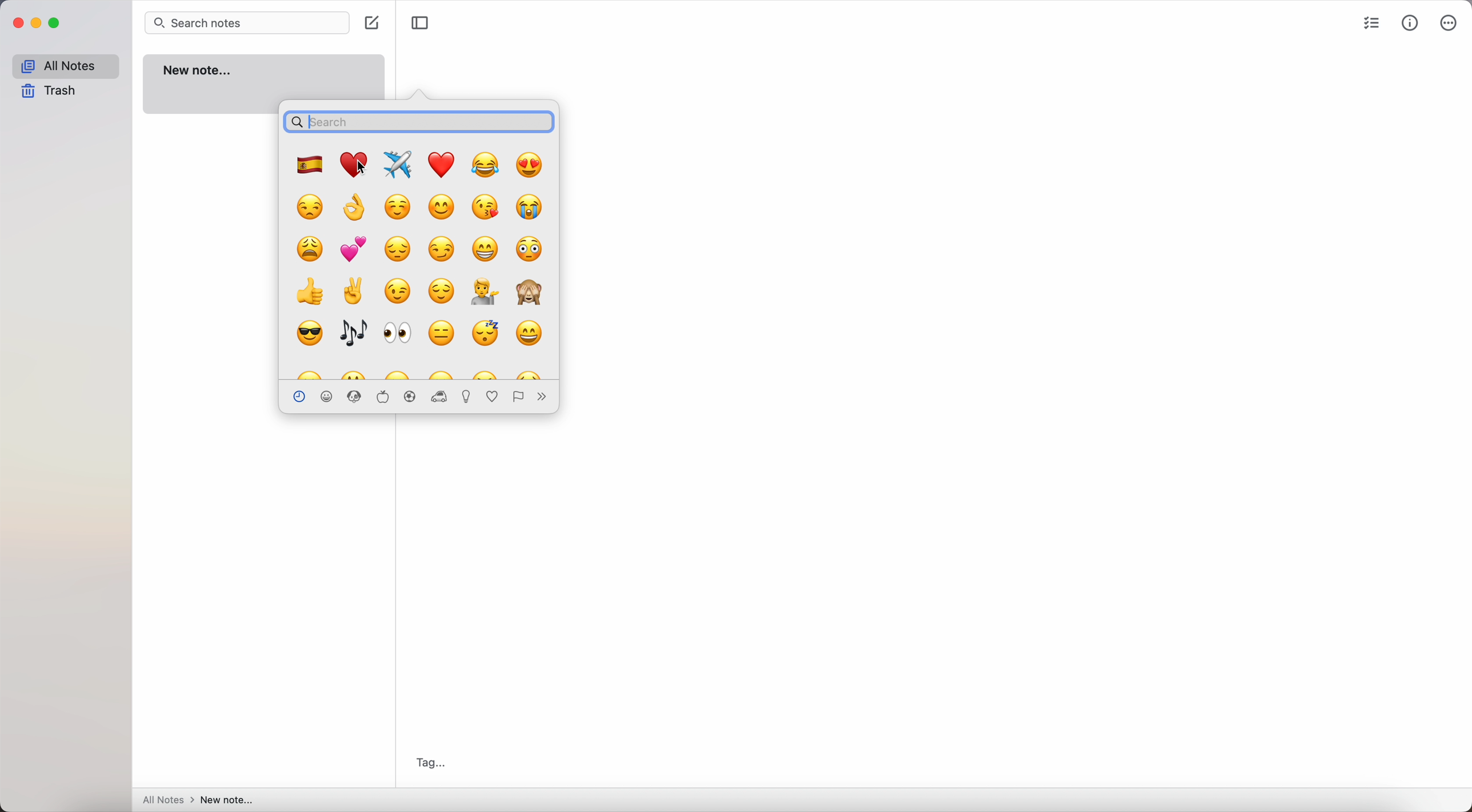 This screenshot has width=1472, height=812. I want to click on trash, so click(50, 92).